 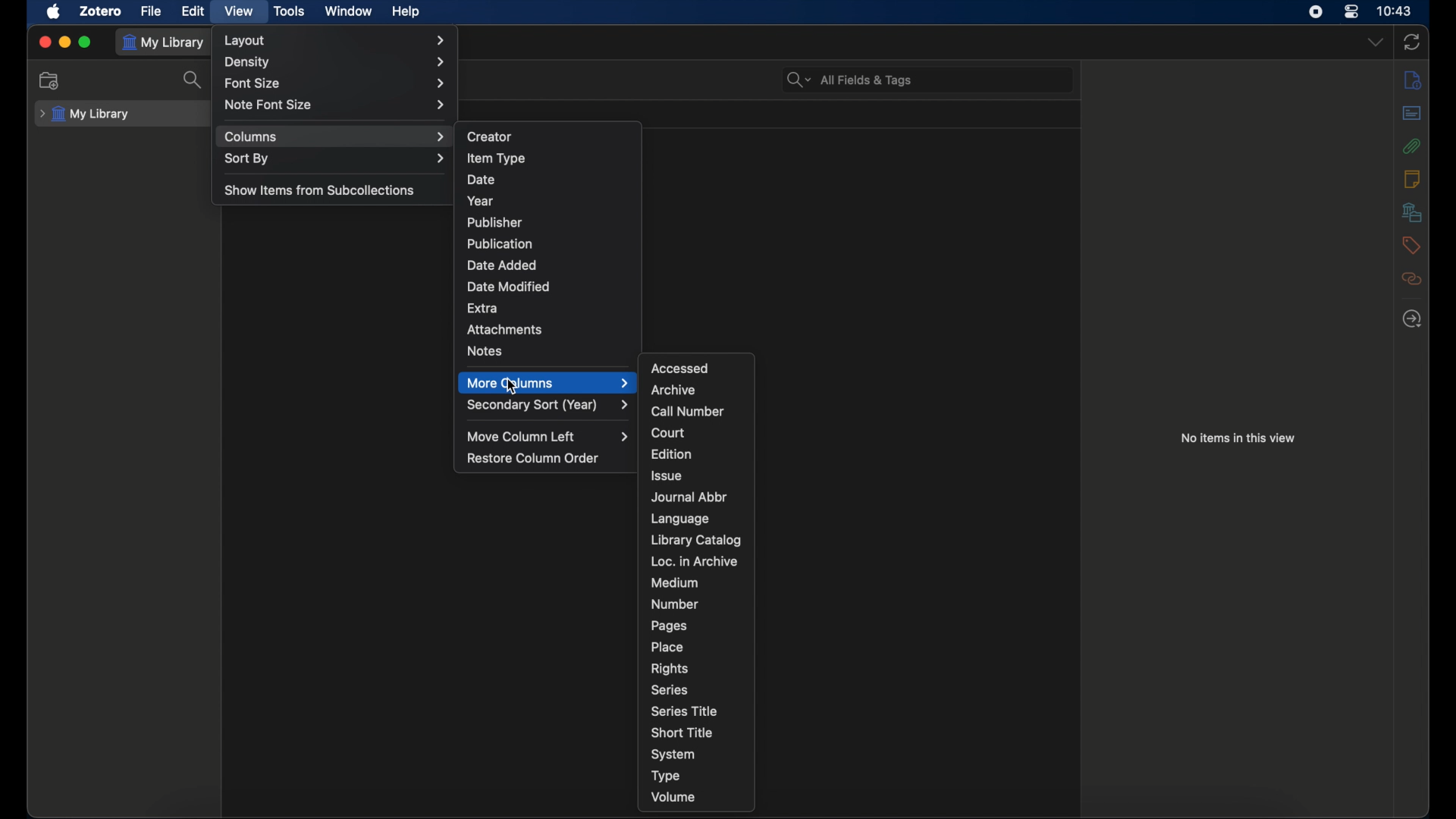 I want to click on series title, so click(x=686, y=711).